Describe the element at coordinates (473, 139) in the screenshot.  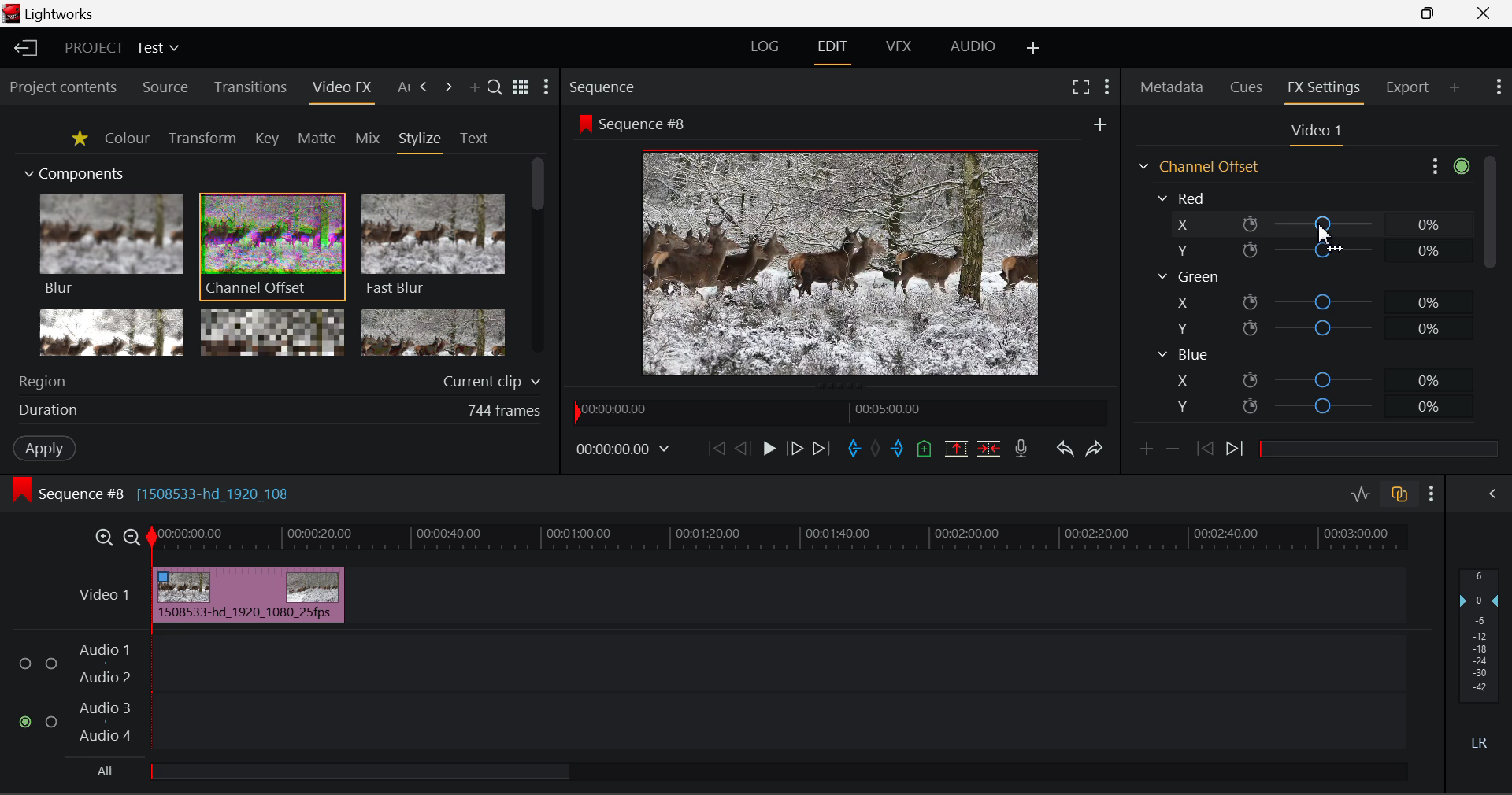
I see `Text` at that location.